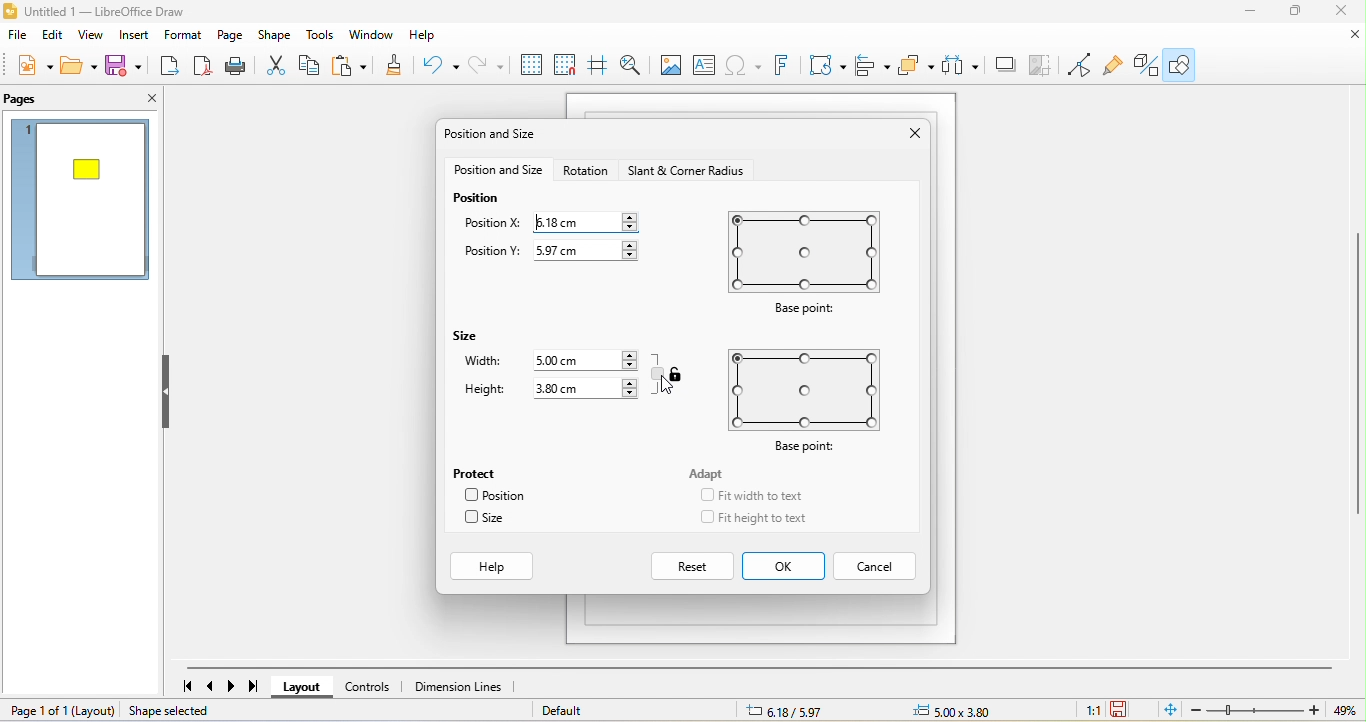  Describe the element at coordinates (668, 66) in the screenshot. I see `image` at that location.